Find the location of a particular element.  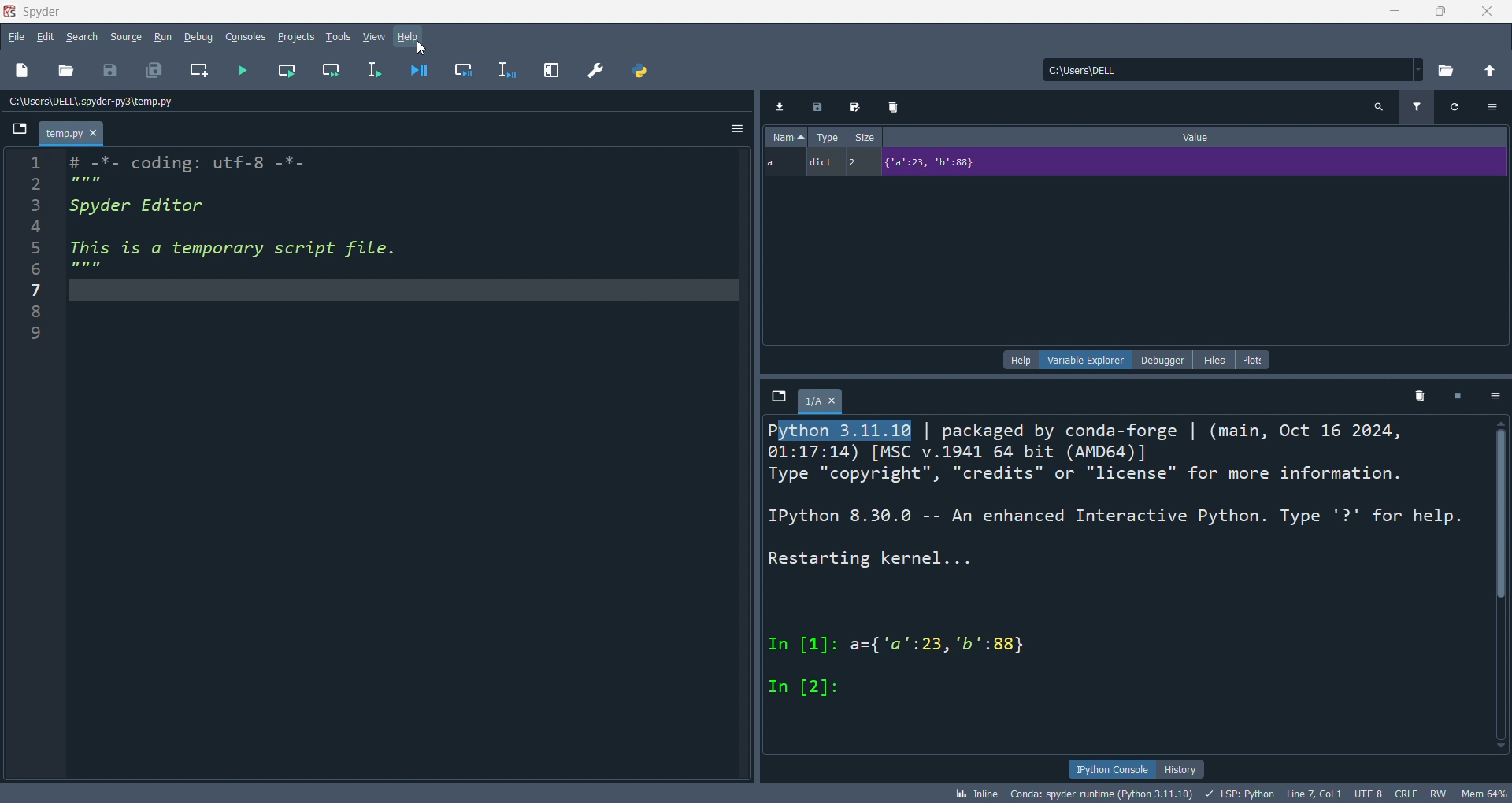

tools is located at coordinates (339, 38).